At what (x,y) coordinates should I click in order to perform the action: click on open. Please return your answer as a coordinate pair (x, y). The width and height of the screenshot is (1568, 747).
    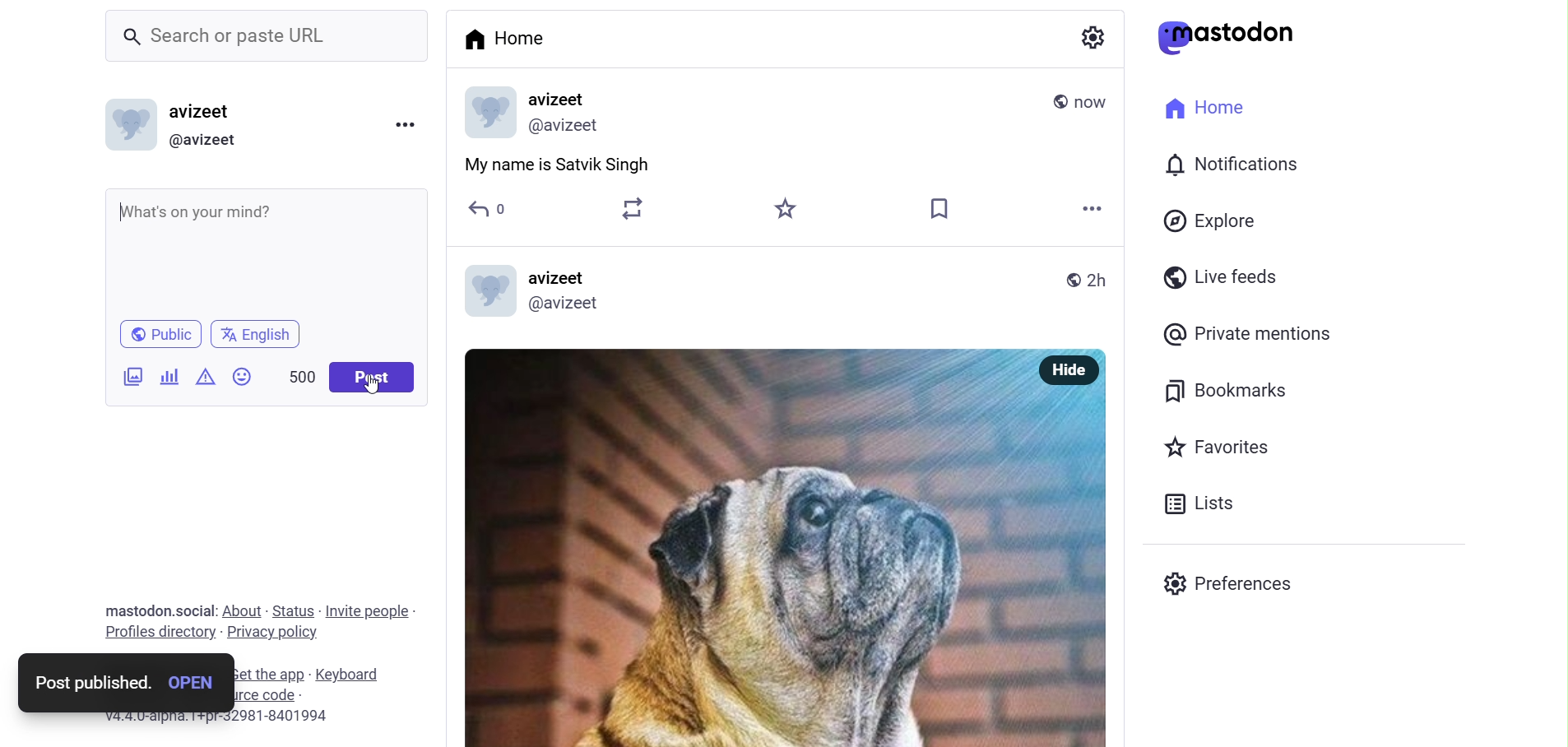
    Looking at the image, I should click on (194, 684).